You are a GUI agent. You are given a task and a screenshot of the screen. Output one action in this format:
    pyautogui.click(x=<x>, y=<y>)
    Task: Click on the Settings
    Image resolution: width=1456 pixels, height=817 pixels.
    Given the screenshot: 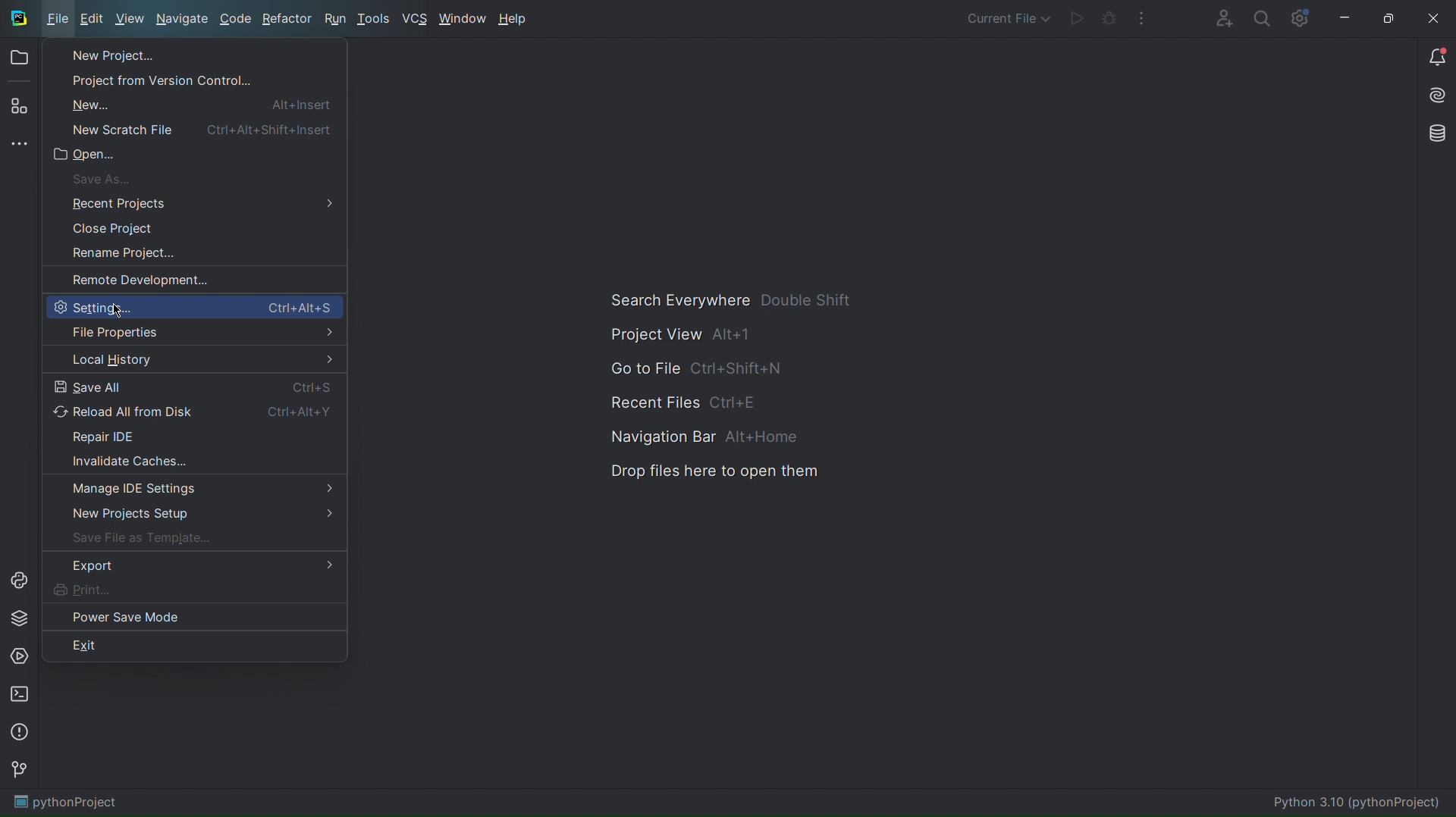 What is the action you would take?
    pyautogui.click(x=193, y=307)
    